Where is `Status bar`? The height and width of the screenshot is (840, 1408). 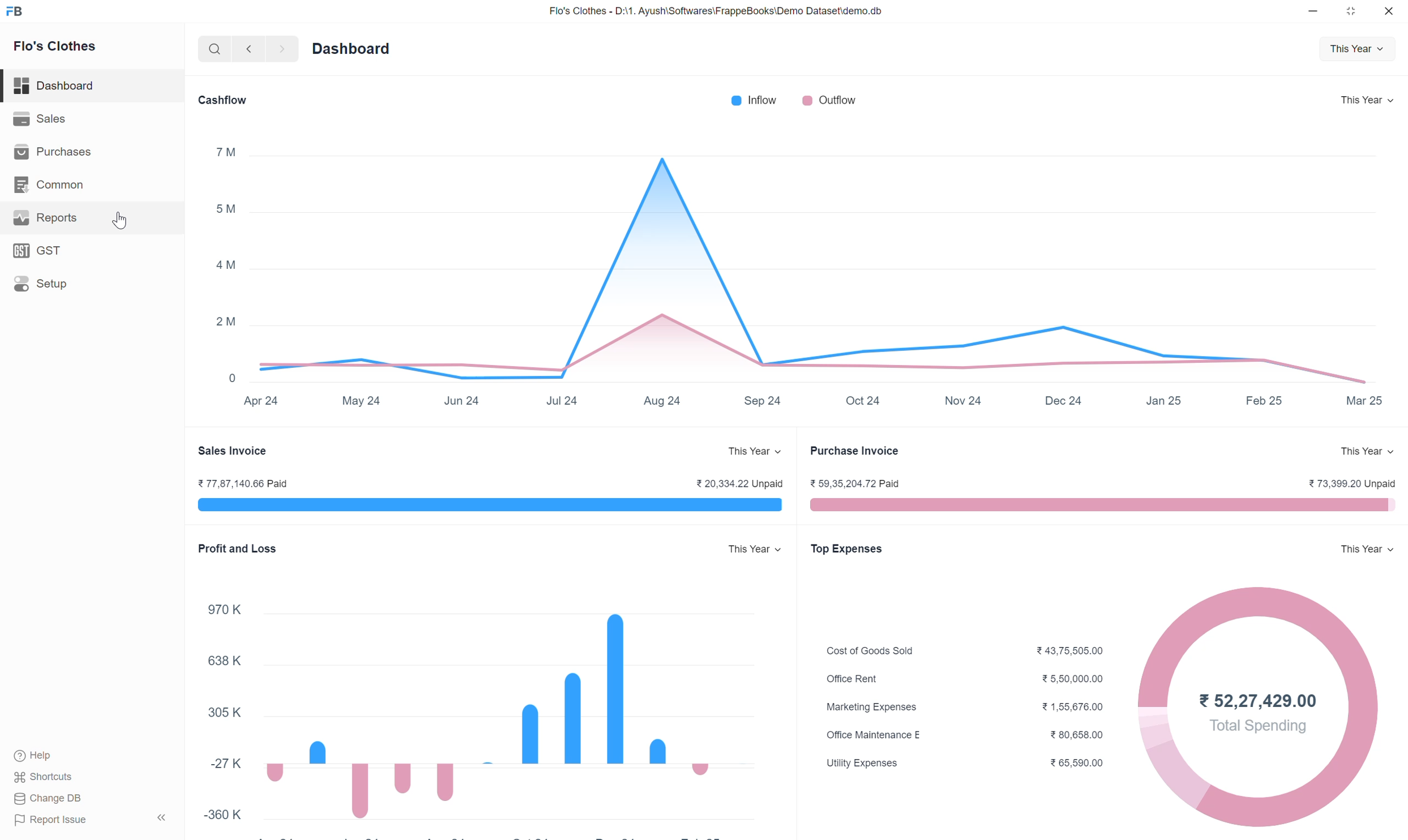 Status bar is located at coordinates (1103, 502).